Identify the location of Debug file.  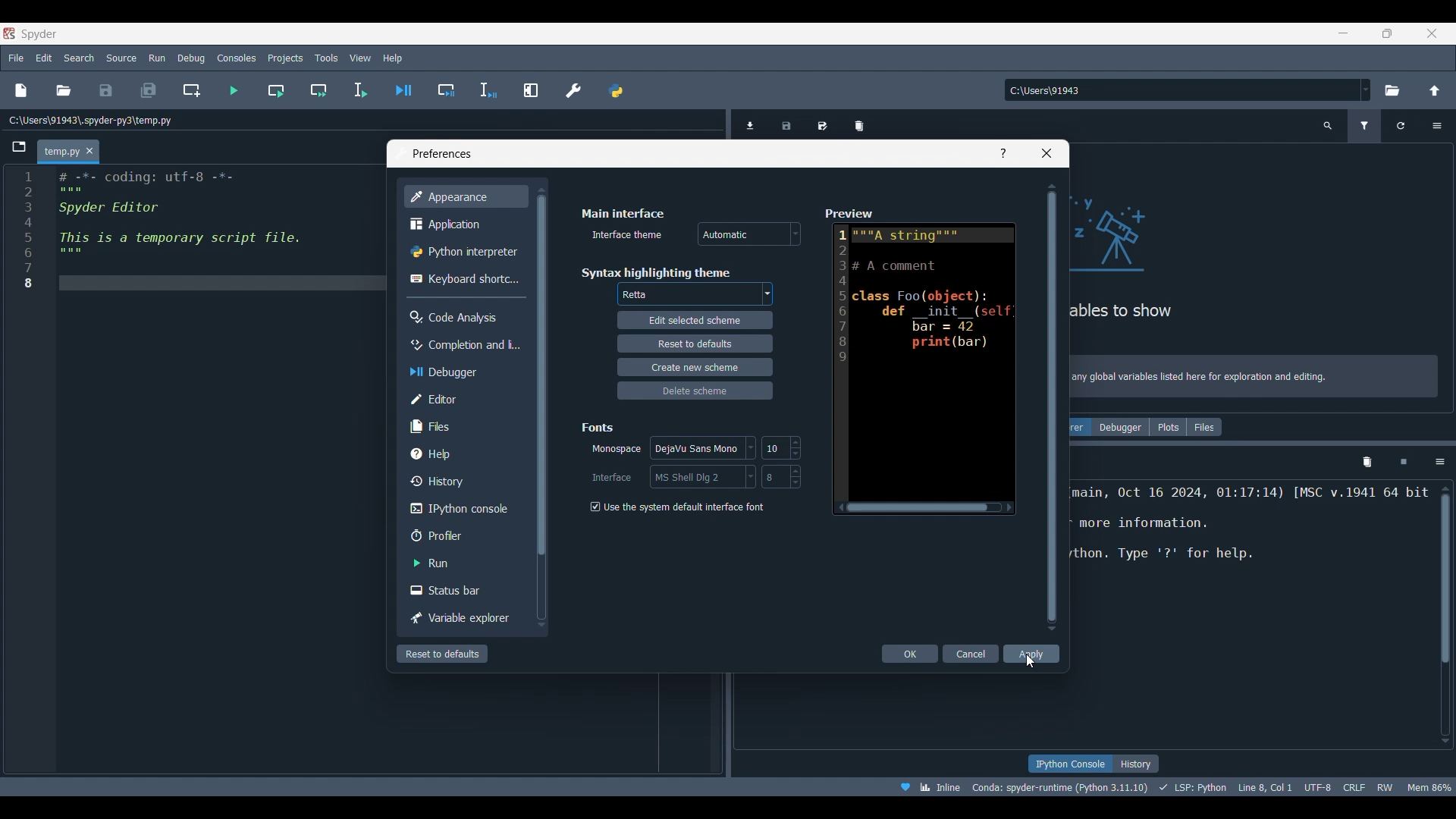
(404, 90).